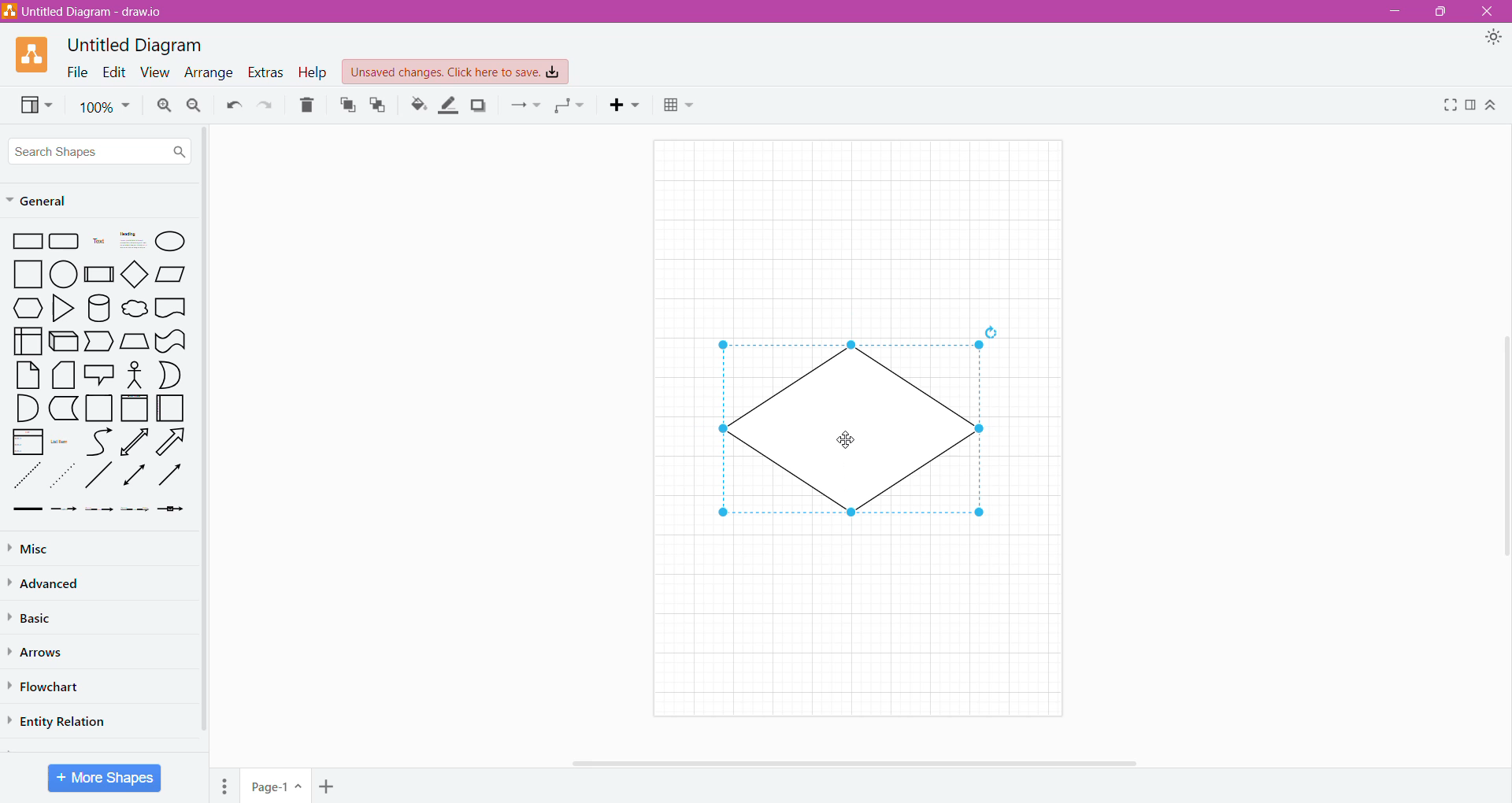  What do you see at coordinates (98, 478) in the screenshot?
I see `Line` at bounding box center [98, 478].